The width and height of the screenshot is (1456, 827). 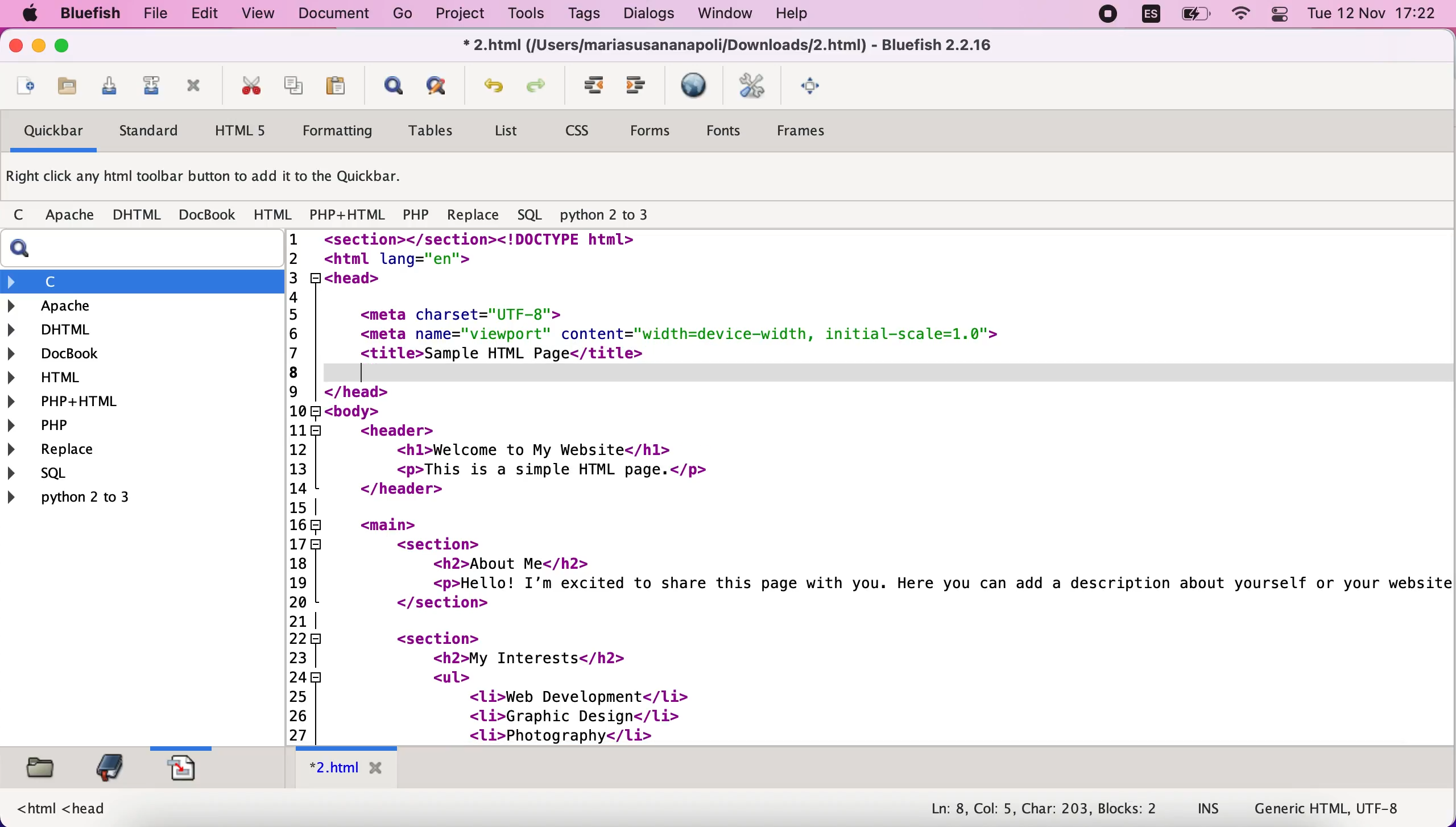 What do you see at coordinates (728, 15) in the screenshot?
I see `window` at bounding box center [728, 15].